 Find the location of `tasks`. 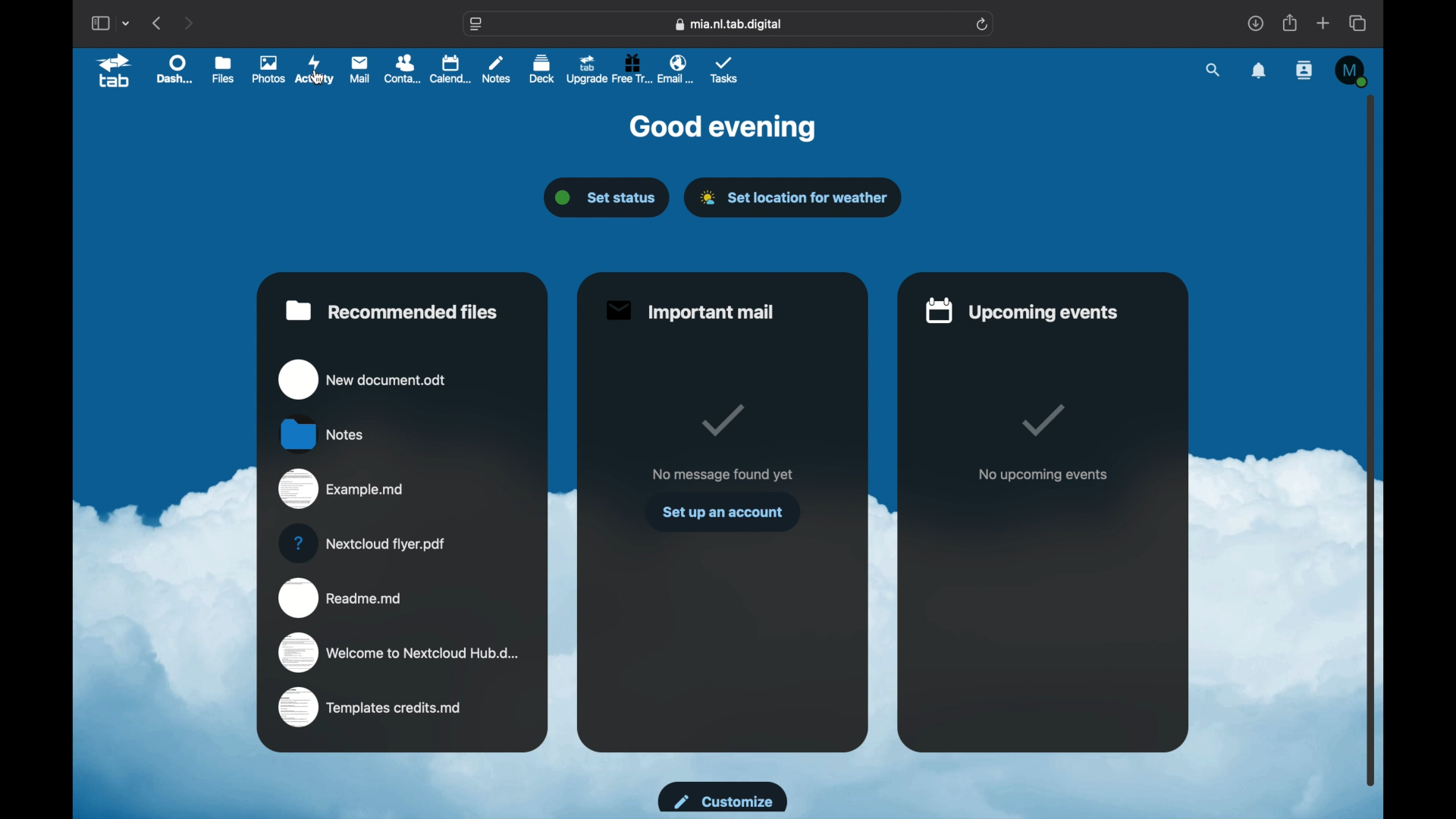

tasks is located at coordinates (726, 71).